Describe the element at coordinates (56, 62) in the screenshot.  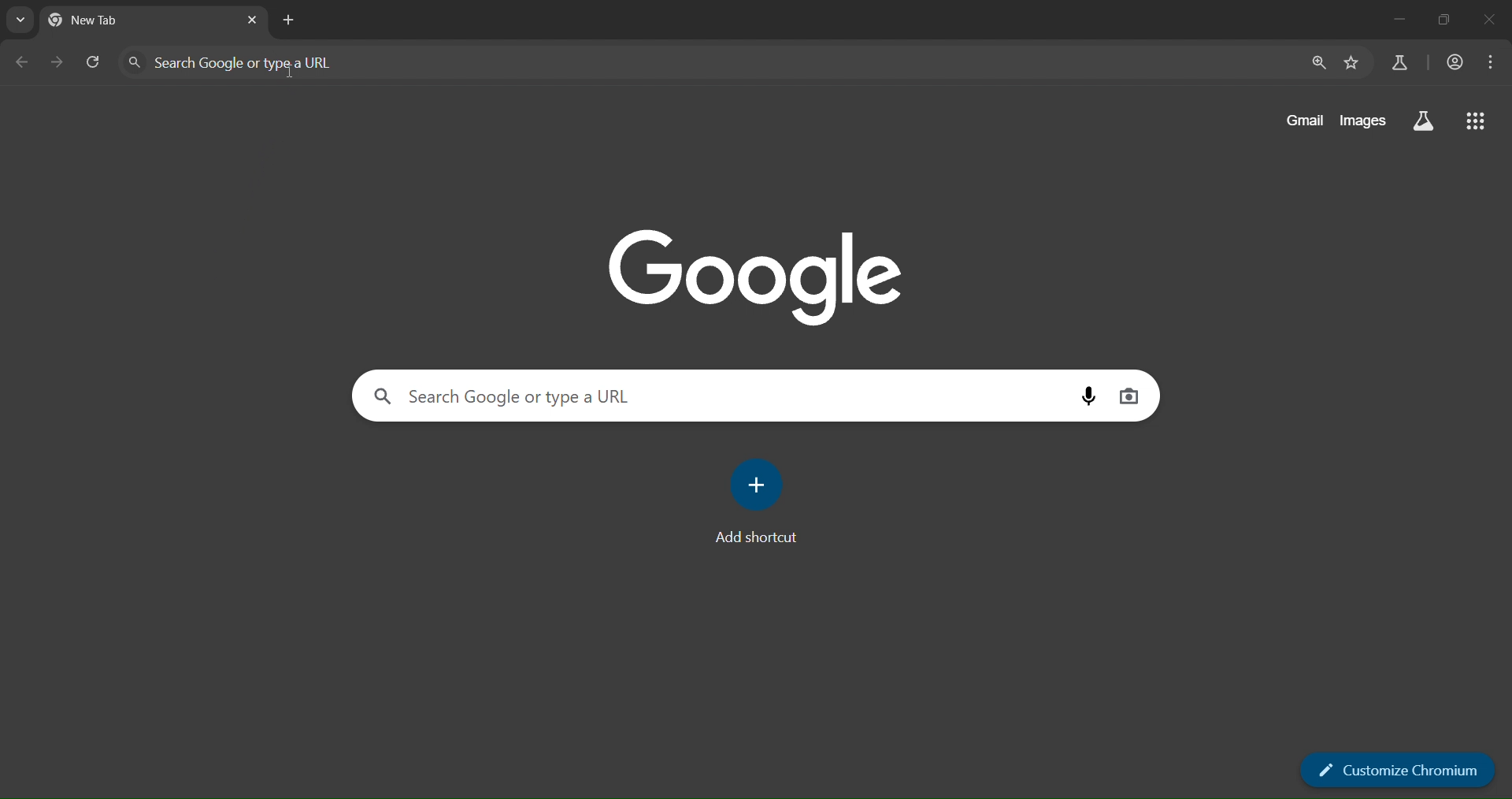
I see `go forward one page` at that location.